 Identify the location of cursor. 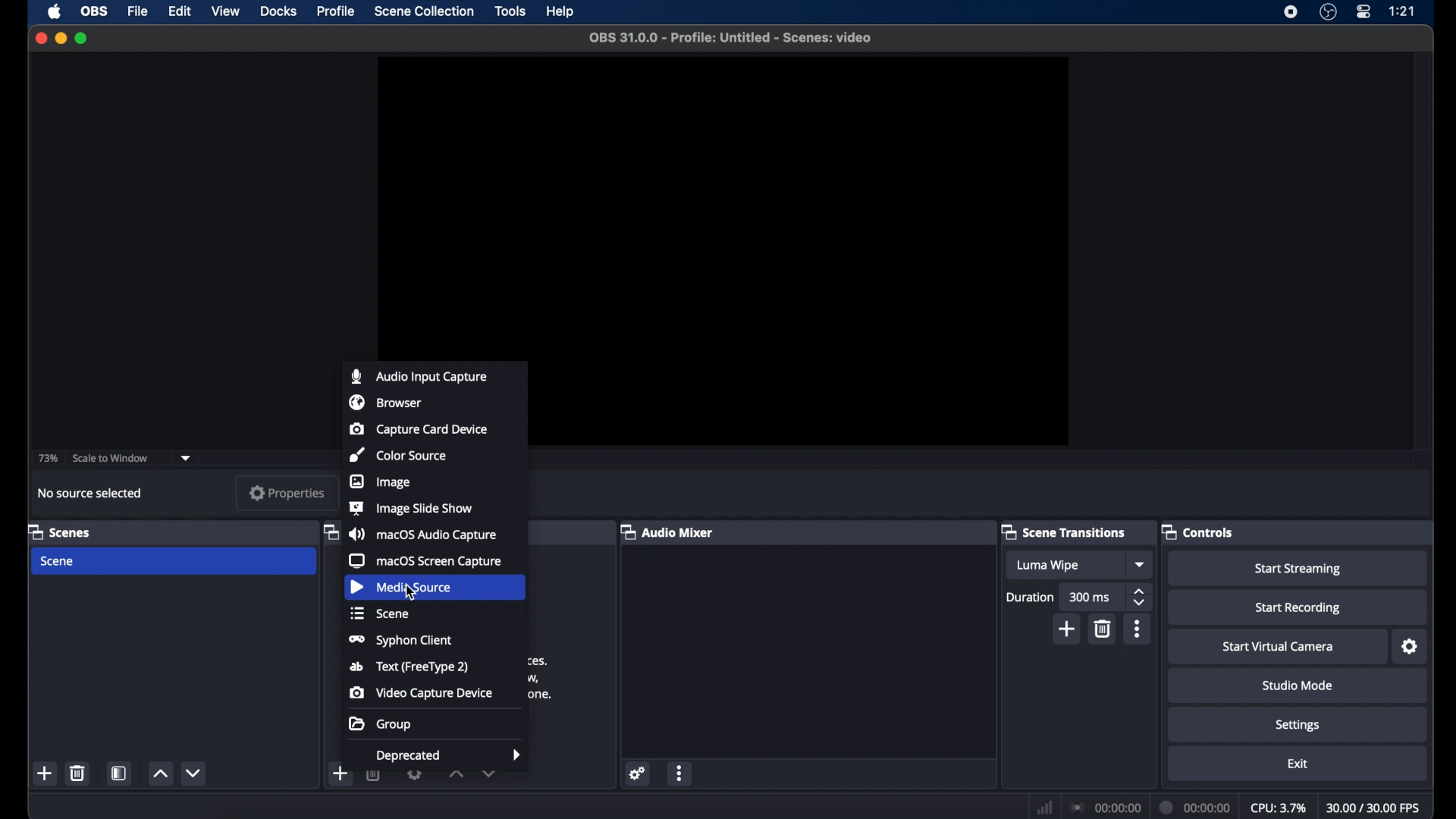
(413, 593).